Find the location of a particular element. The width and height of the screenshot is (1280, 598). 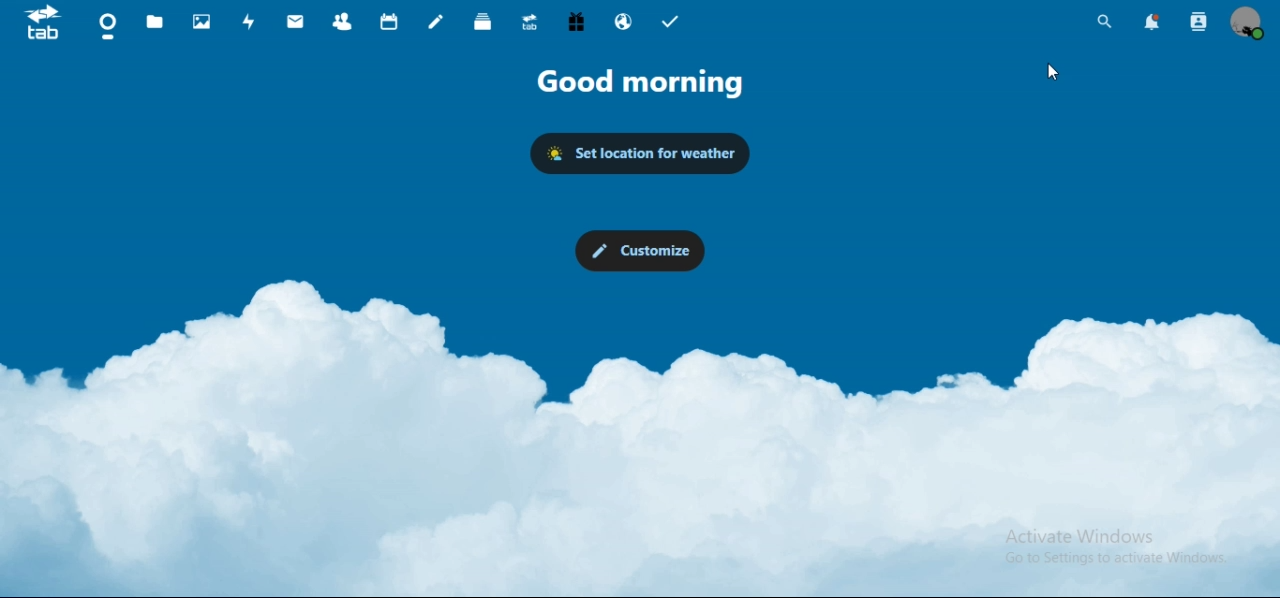

files is located at coordinates (154, 22).